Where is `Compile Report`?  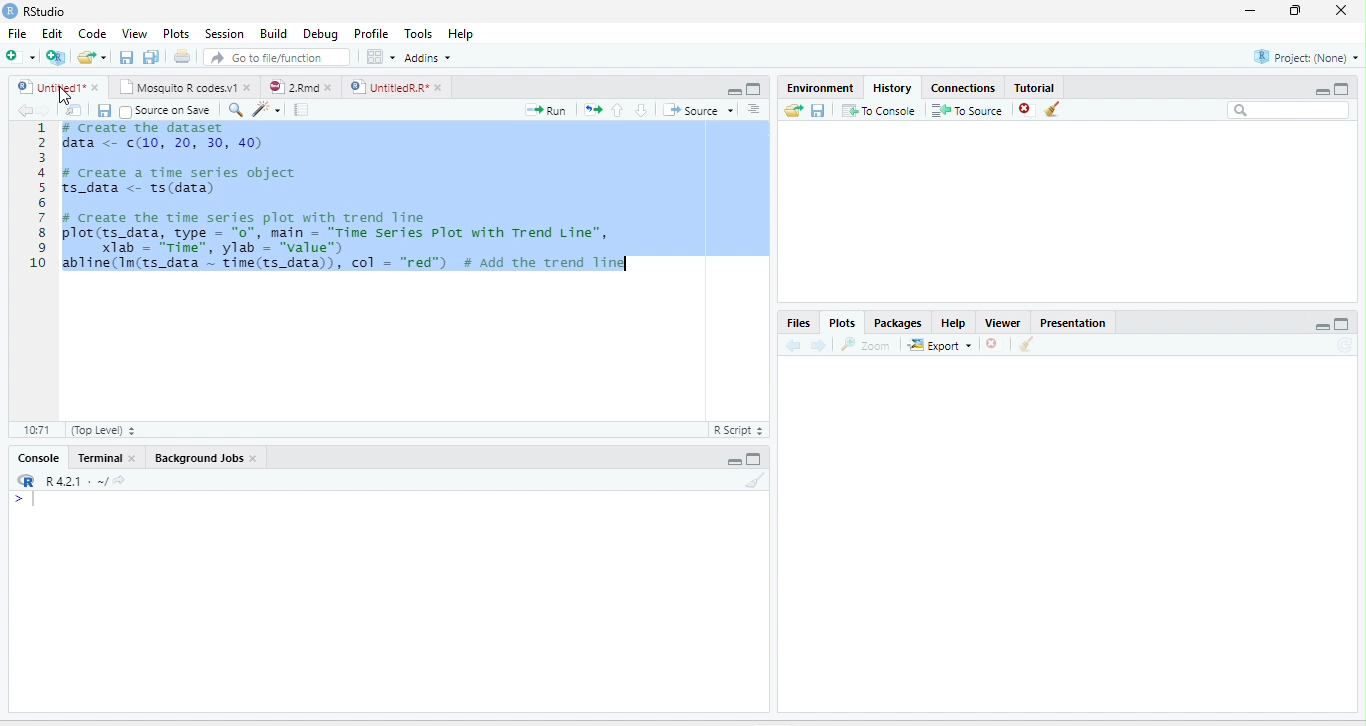 Compile Report is located at coordinates (302, 110).